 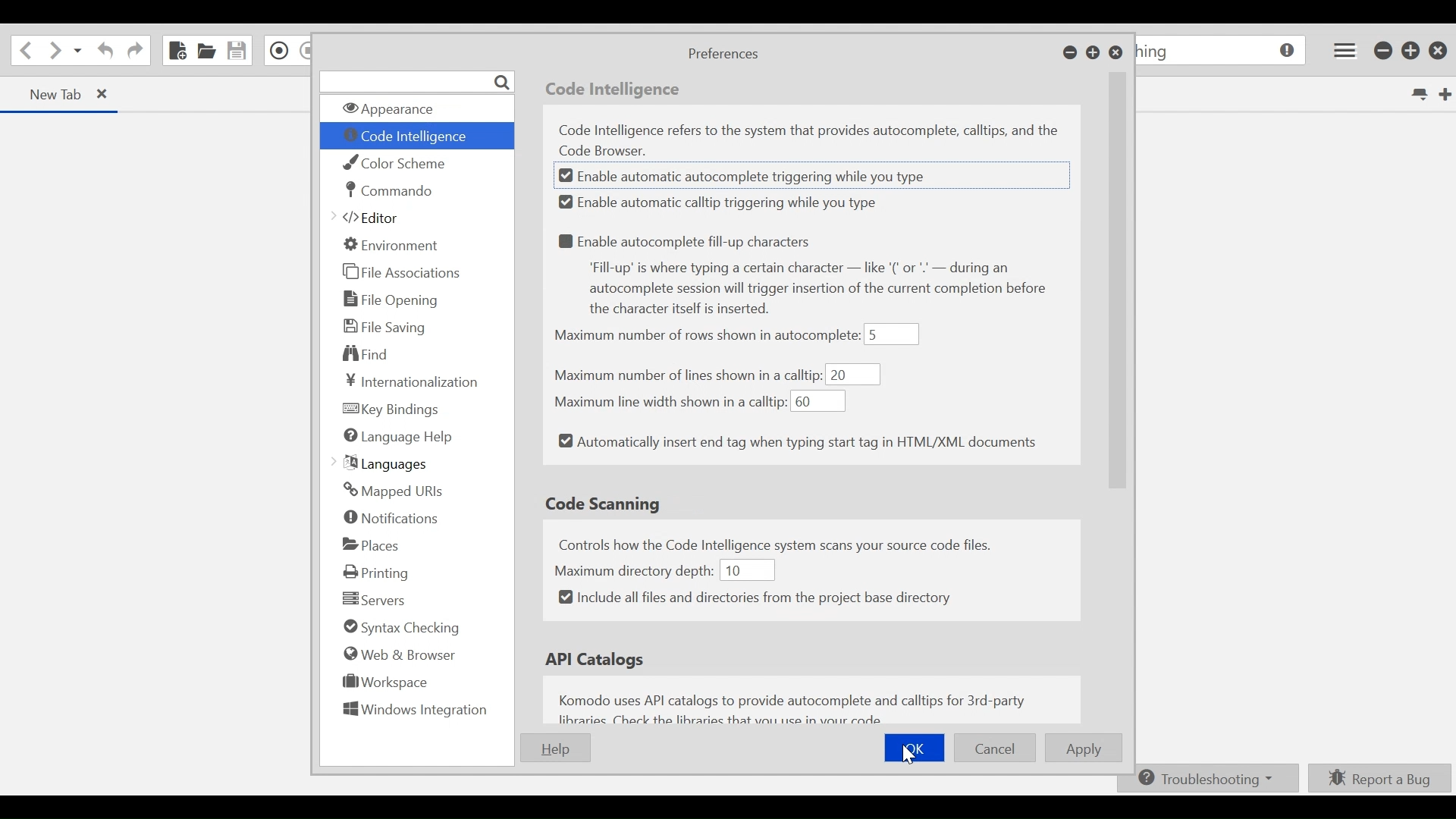 I want to click on Notifications, so click(x=393, y=519).